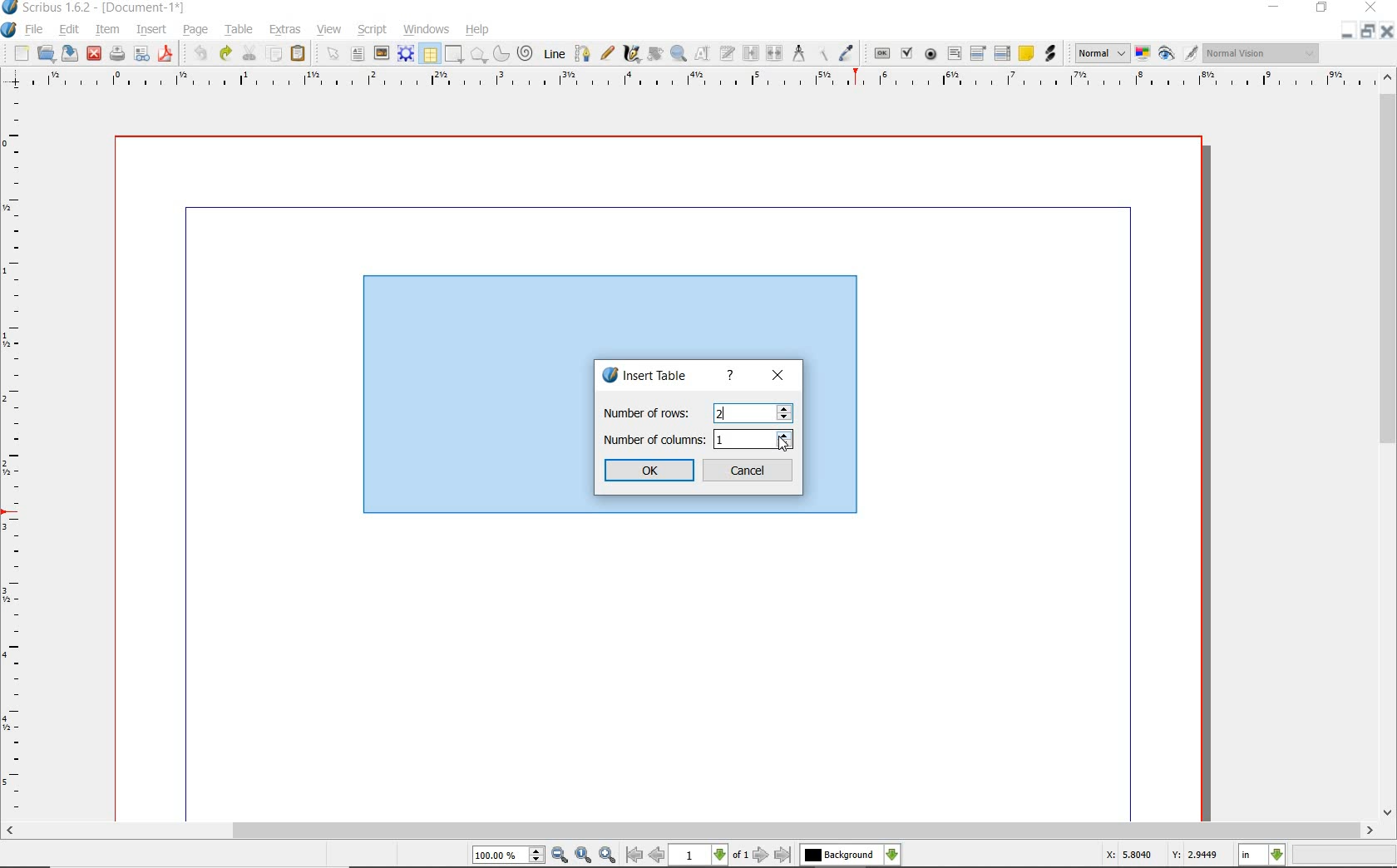  What do you see at coordinates (22, 55) in the screenshot?
I see `new` at bounding box center [22, 55].